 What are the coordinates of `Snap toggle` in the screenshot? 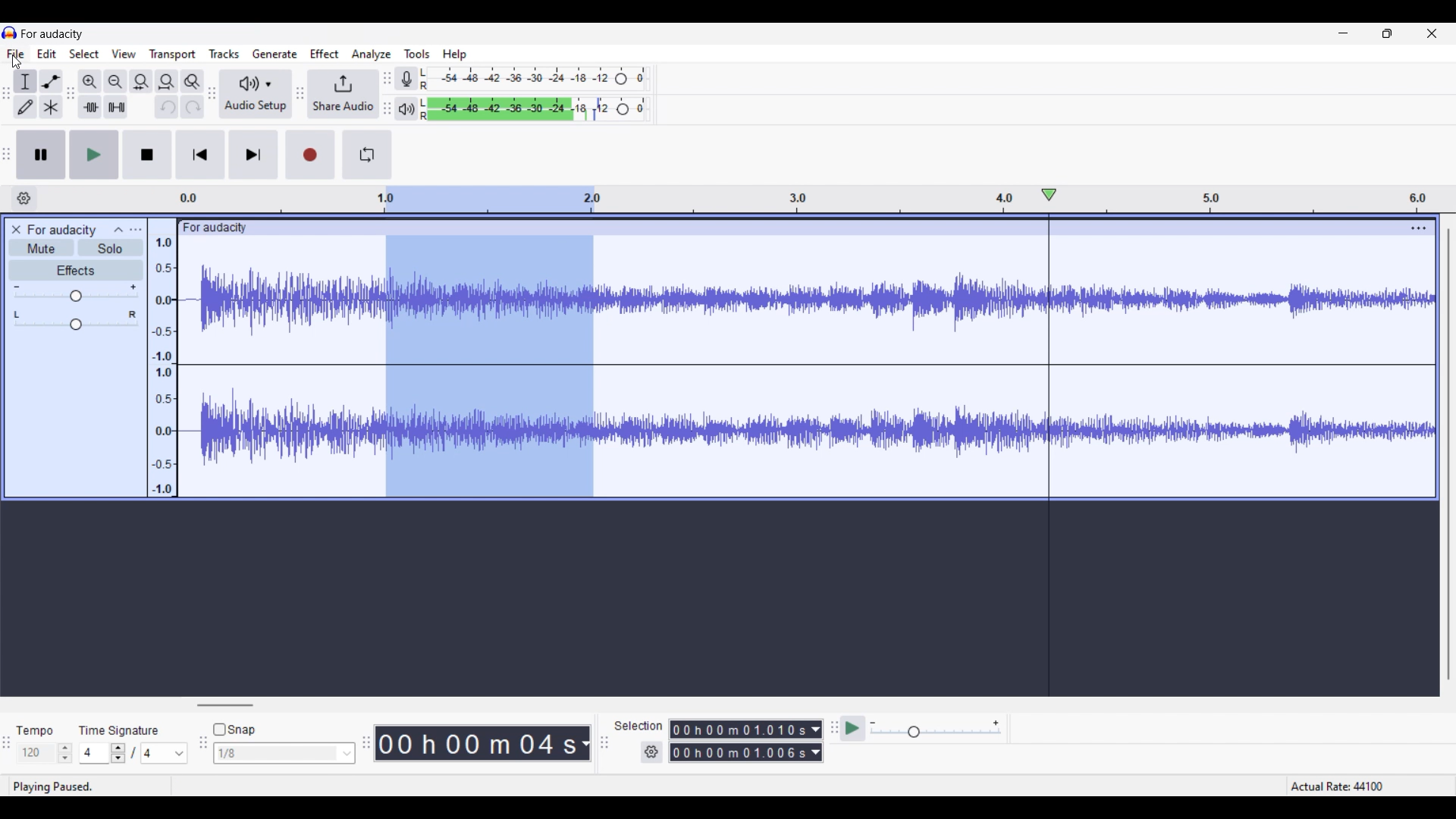 It's located at (234, 730).